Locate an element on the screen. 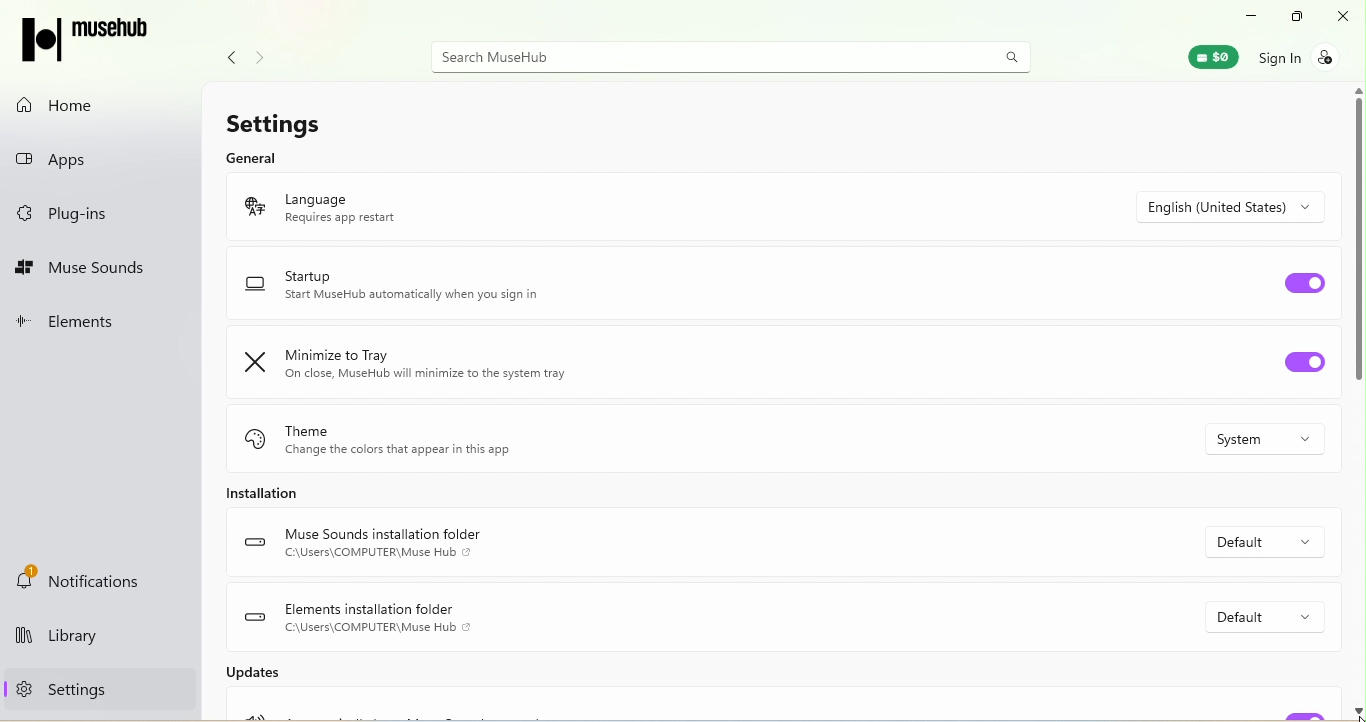 The height and width of the screenshot is (722, 1366). Navigate forward is located at coordinates (264, 58).